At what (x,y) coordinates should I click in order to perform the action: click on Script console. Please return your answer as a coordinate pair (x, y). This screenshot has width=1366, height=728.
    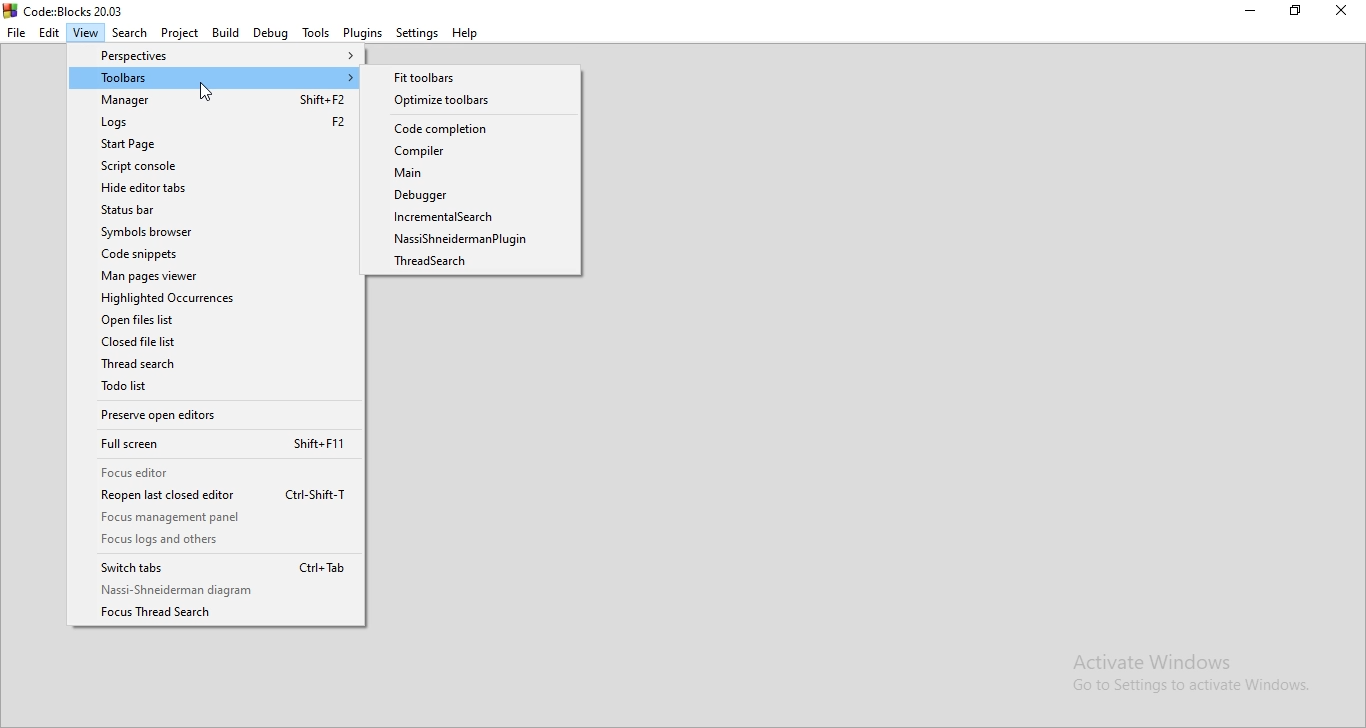
    Looking at the image, I should click on (213, 166).